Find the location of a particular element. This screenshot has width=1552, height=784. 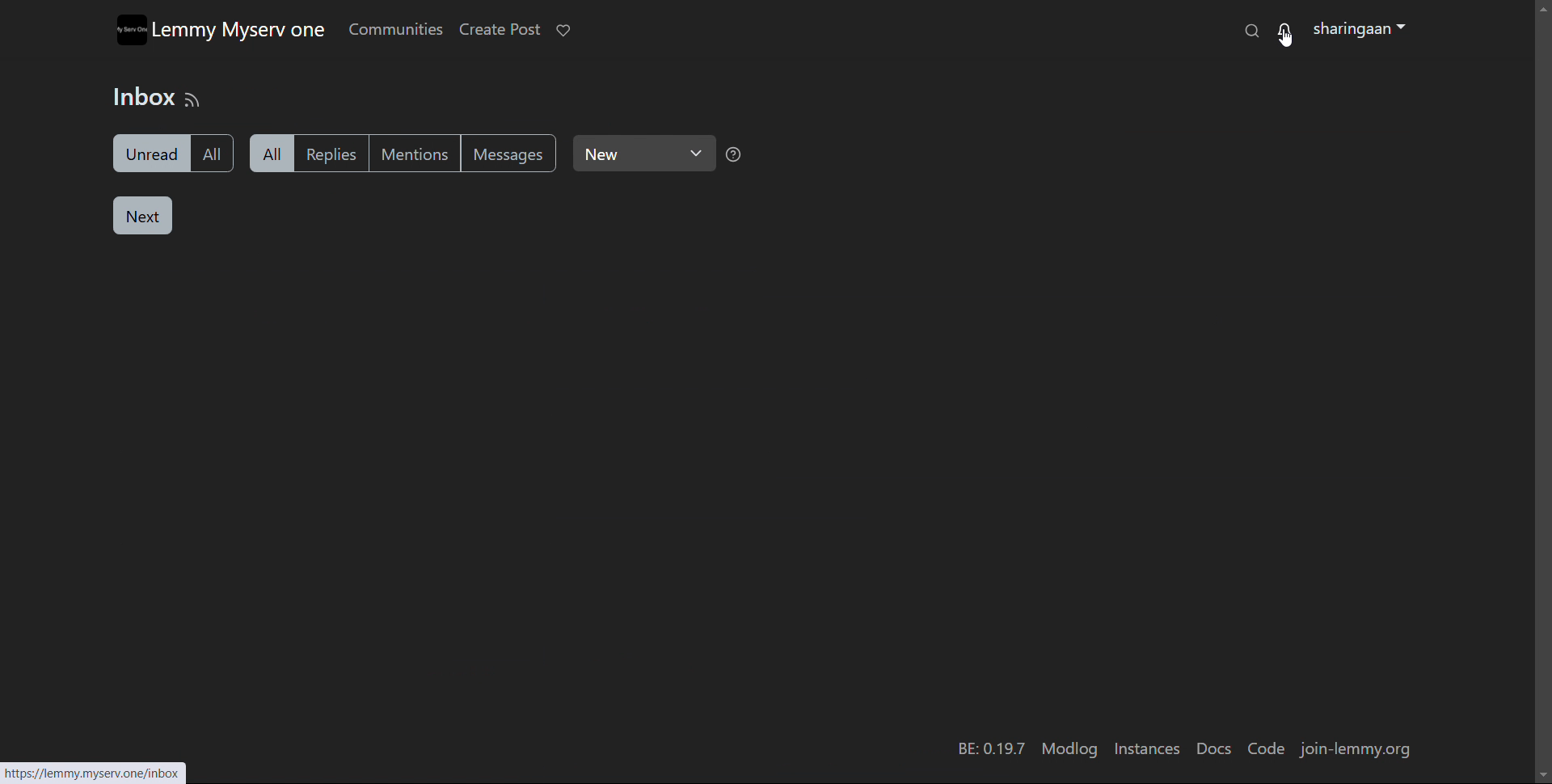

modlog is located at coordinates (1066, 750).